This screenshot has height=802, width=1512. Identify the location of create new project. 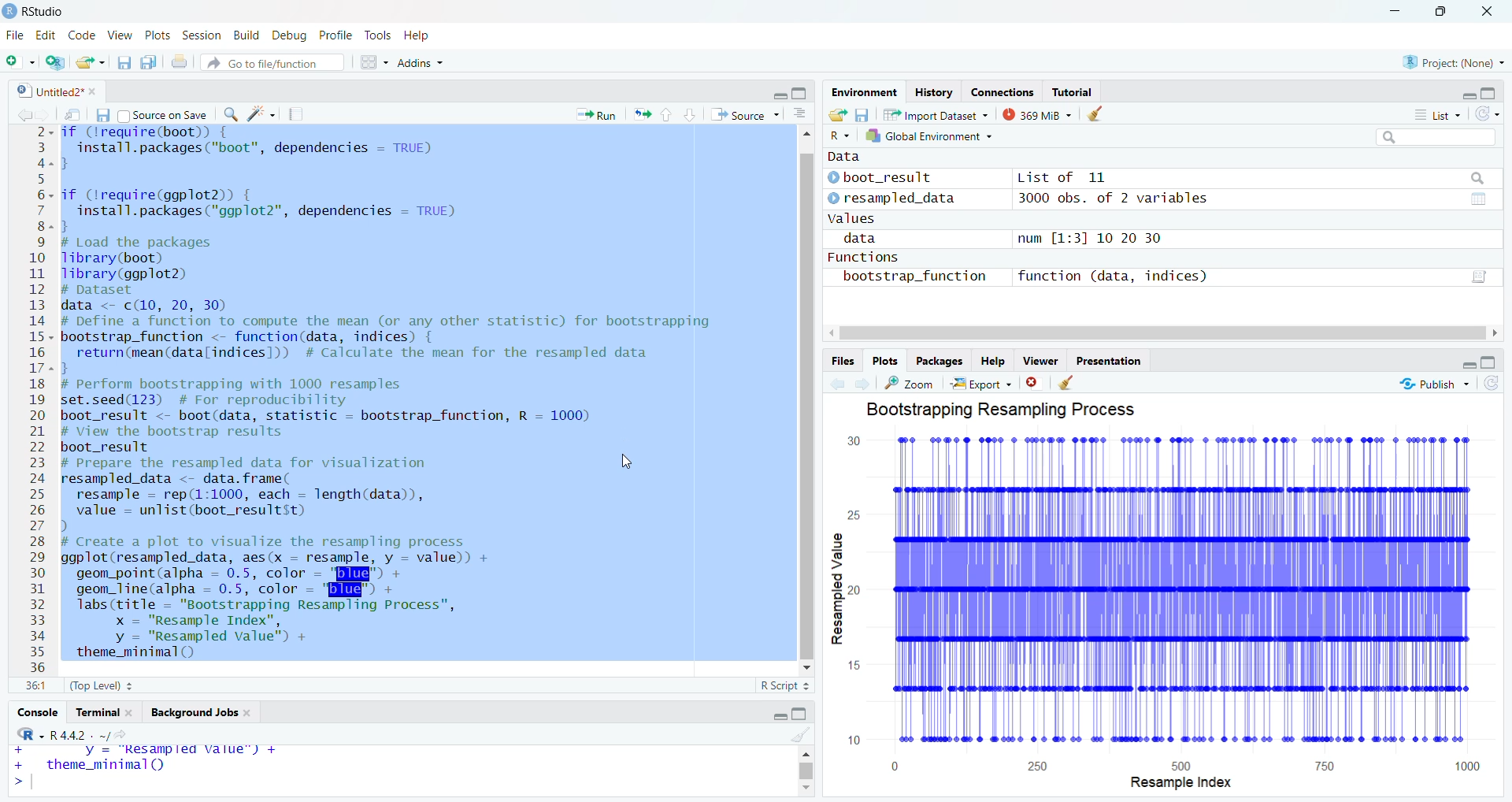
(55, 63).